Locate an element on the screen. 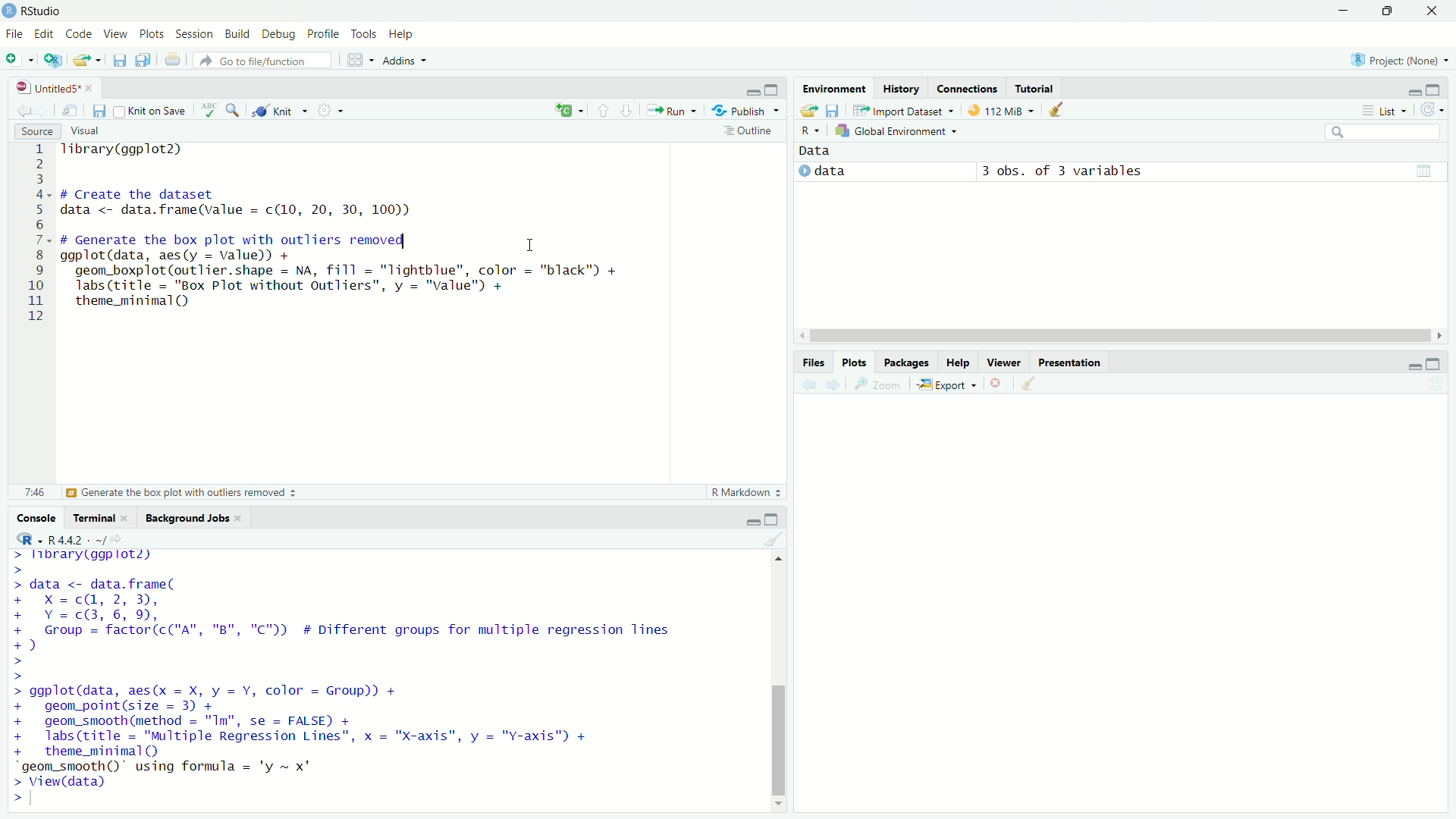 The height and width of the screenshot is (819, 1456). © List is located at coordinates (1385, 110).